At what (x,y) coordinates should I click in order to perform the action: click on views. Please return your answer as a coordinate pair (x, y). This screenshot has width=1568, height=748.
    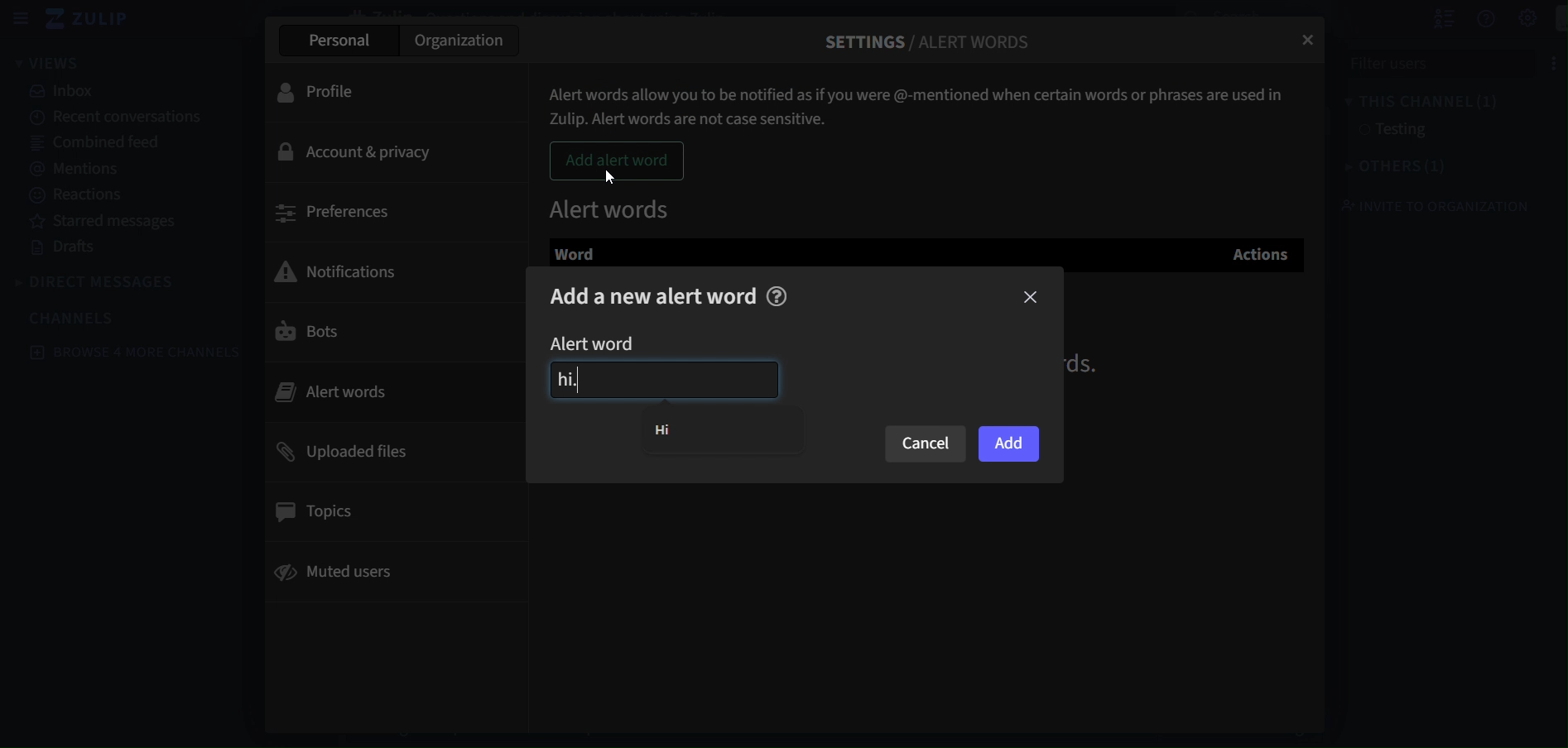
    Looking at the image, I should click on (58, 63).